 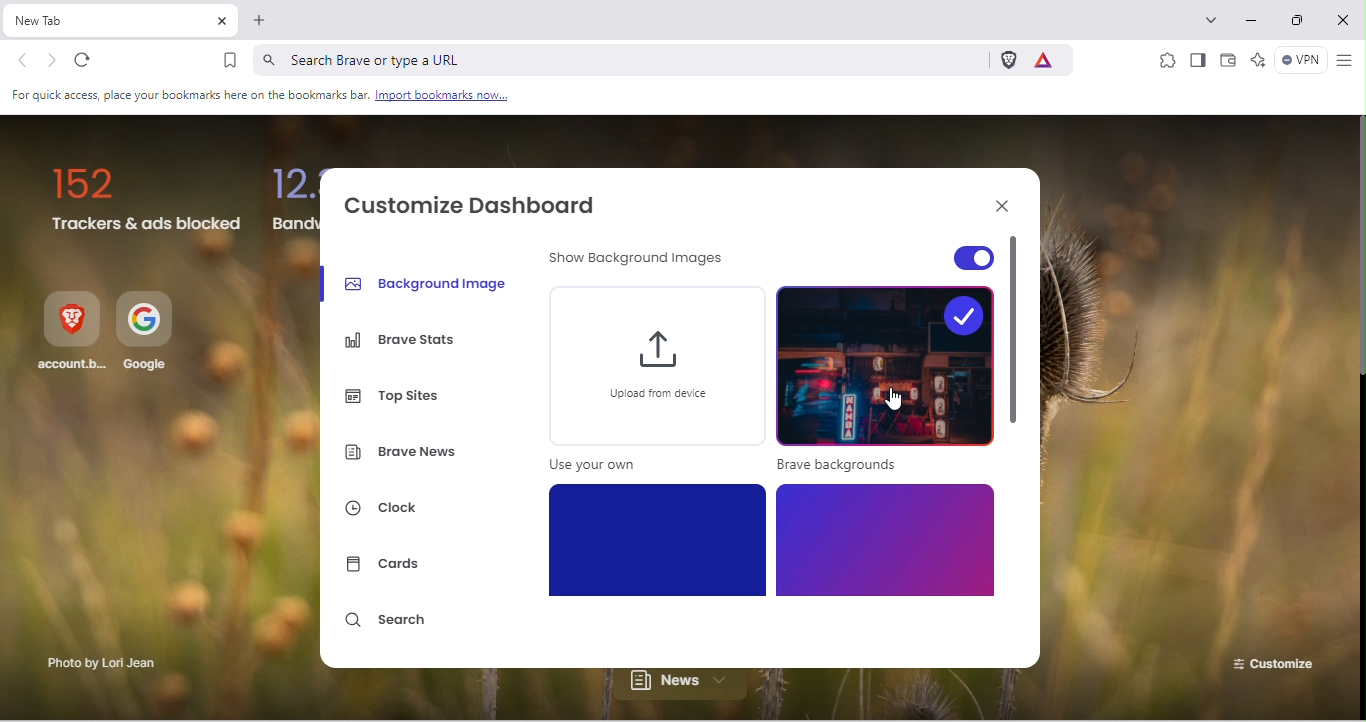 What do you see at coordinates (23, 62) in the screenshot?
I see `Click to go back` at bounding box center [23, 62].